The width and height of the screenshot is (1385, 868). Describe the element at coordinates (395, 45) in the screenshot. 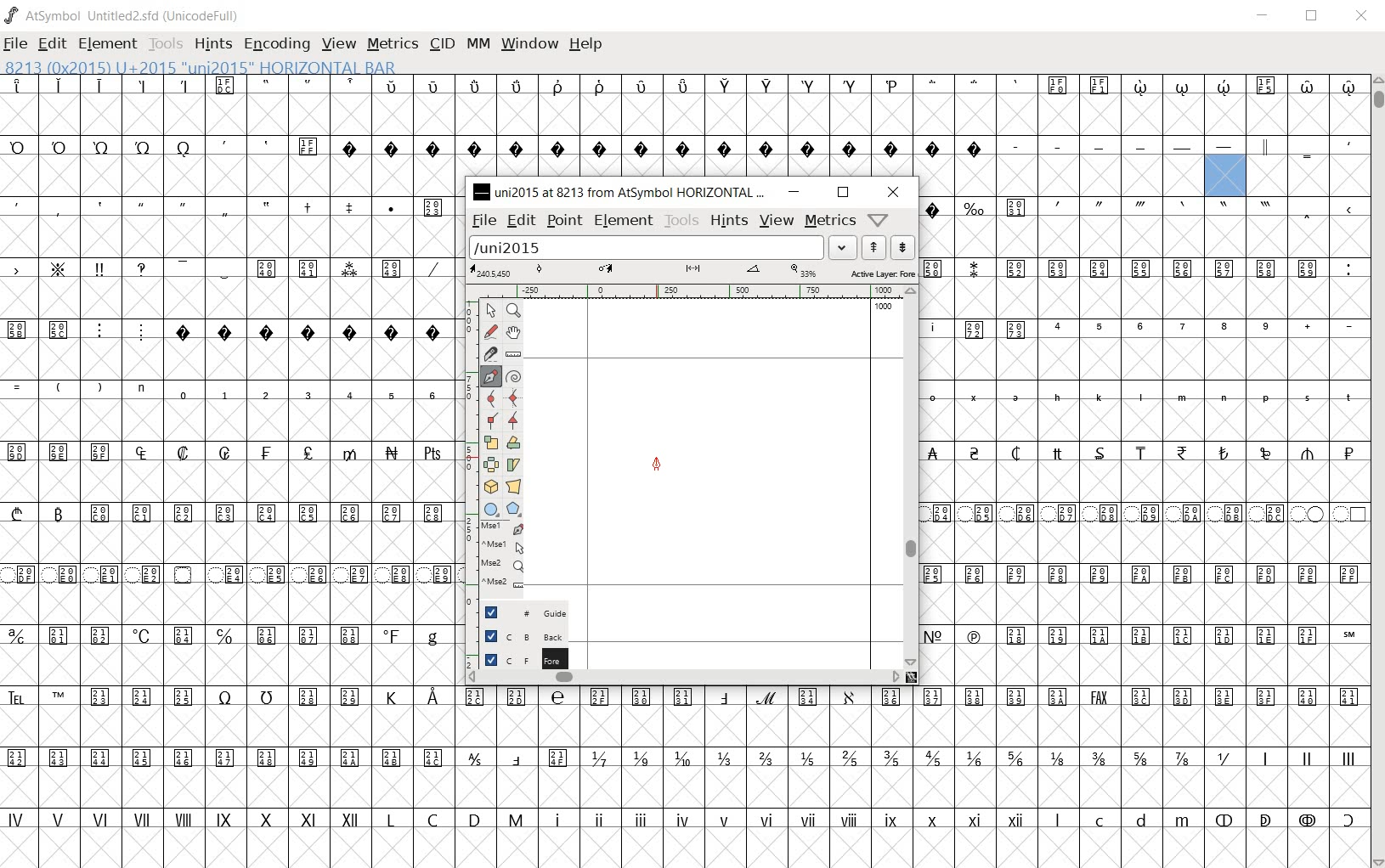

I see `METRICS` at that location.